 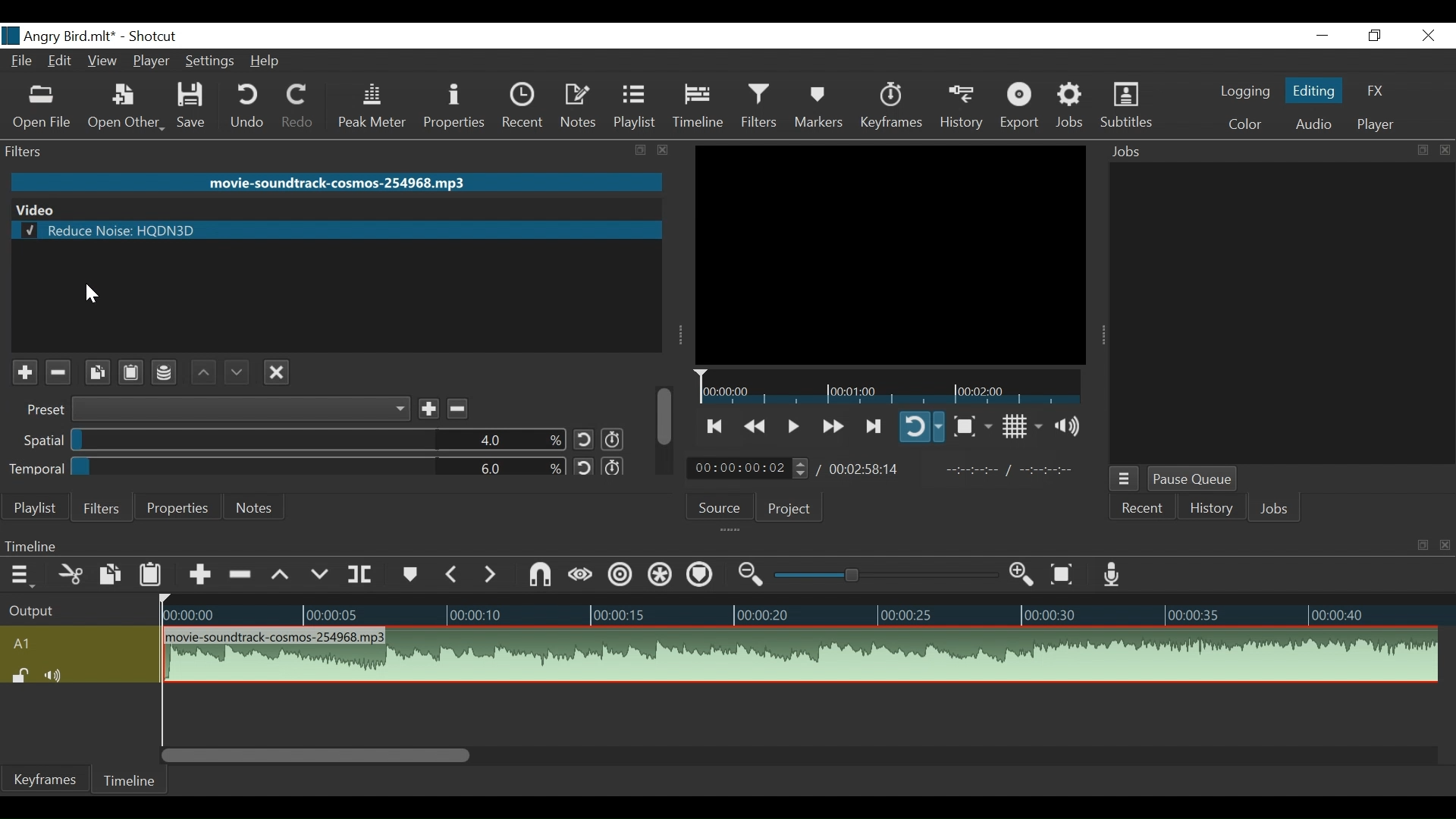 I want to click on Jobs, so click(x=1072, y=108).